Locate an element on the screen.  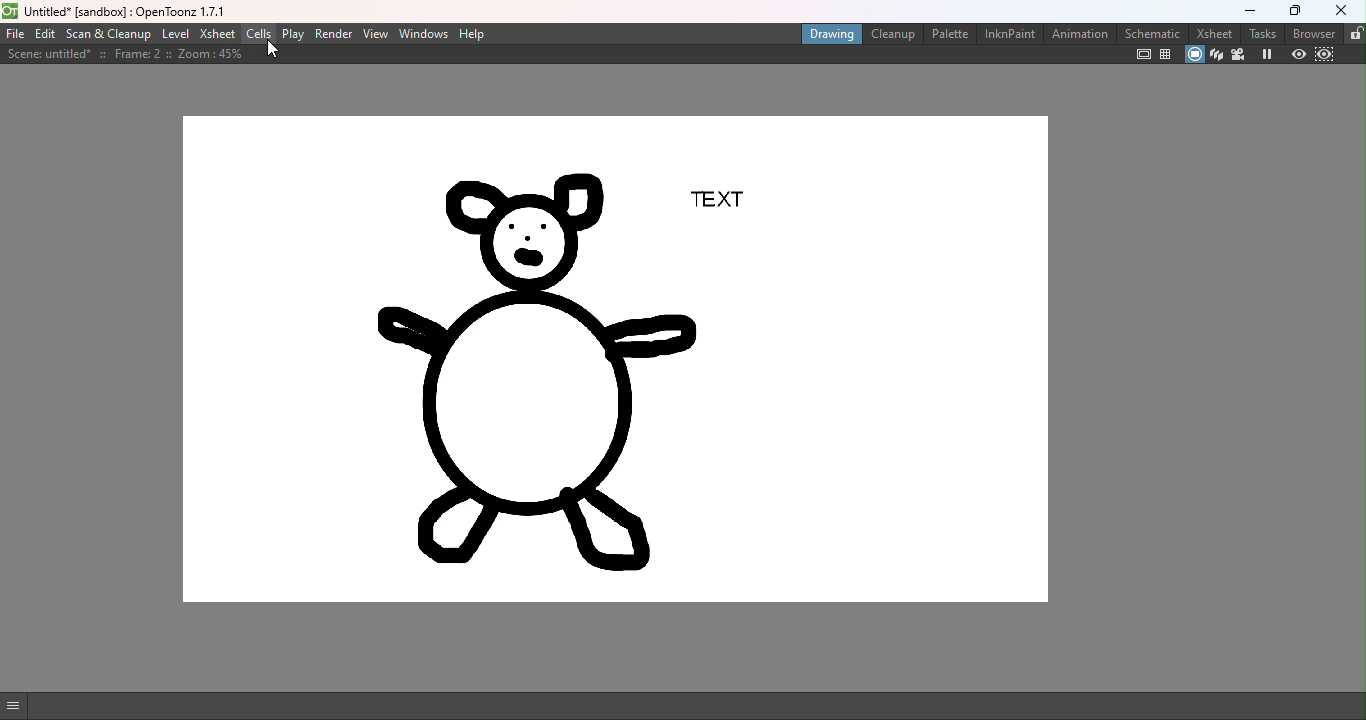
Preview is located at coordinates (1295, 54).